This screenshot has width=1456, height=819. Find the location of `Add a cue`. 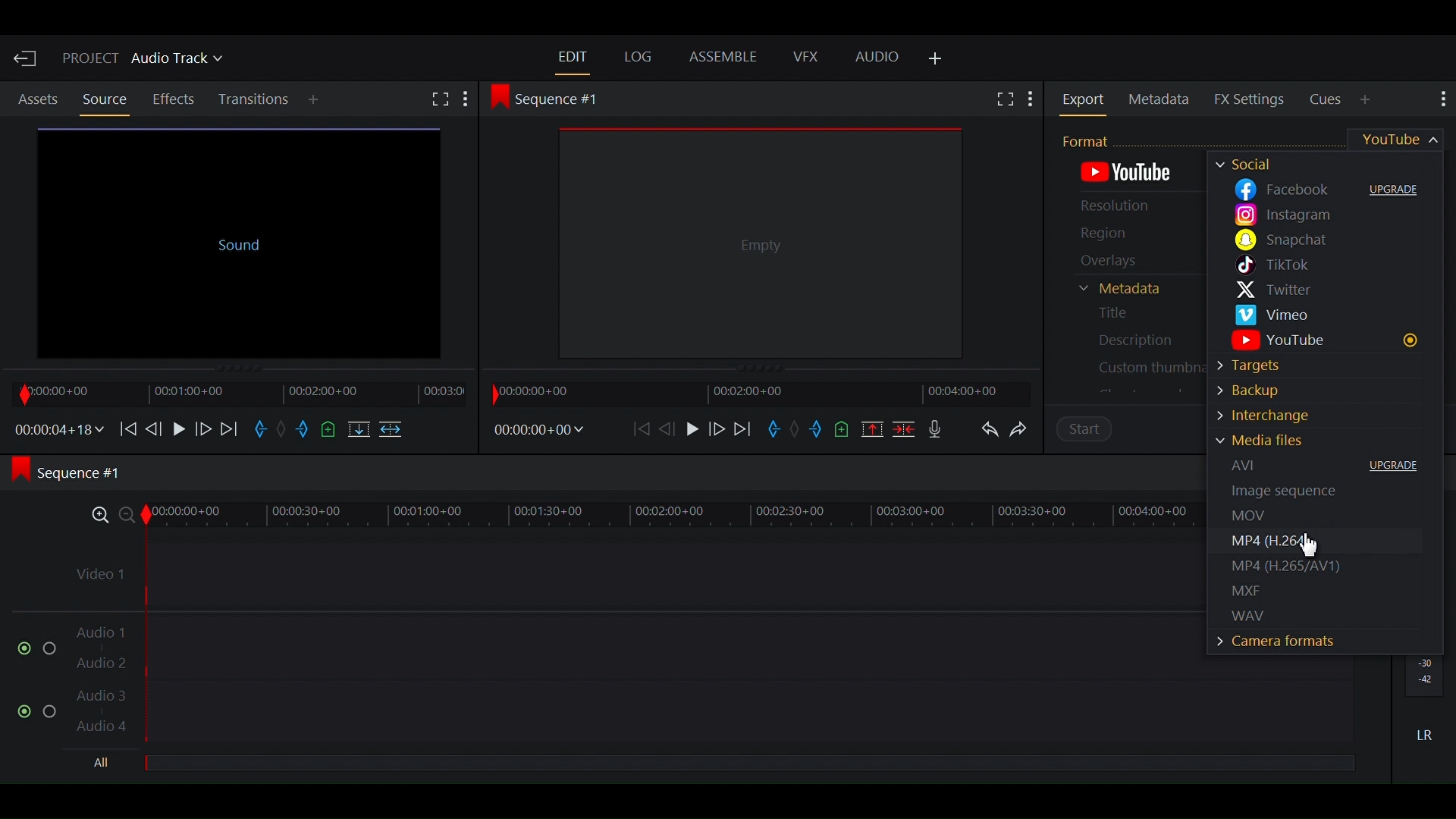

Add a cue is located at coordinates (845, 428).